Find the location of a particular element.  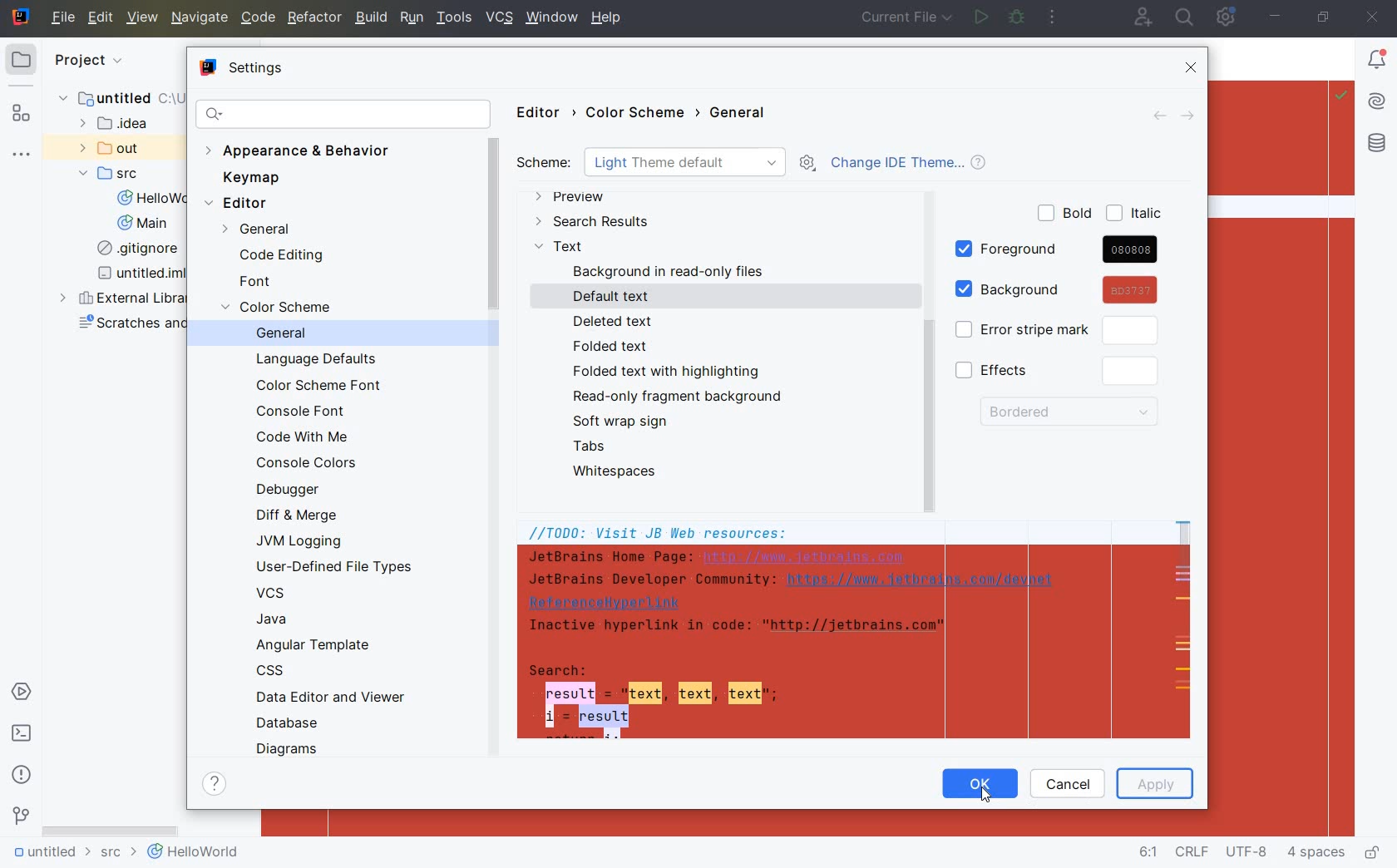

FORWARD is located at coordinates (1192, 116).